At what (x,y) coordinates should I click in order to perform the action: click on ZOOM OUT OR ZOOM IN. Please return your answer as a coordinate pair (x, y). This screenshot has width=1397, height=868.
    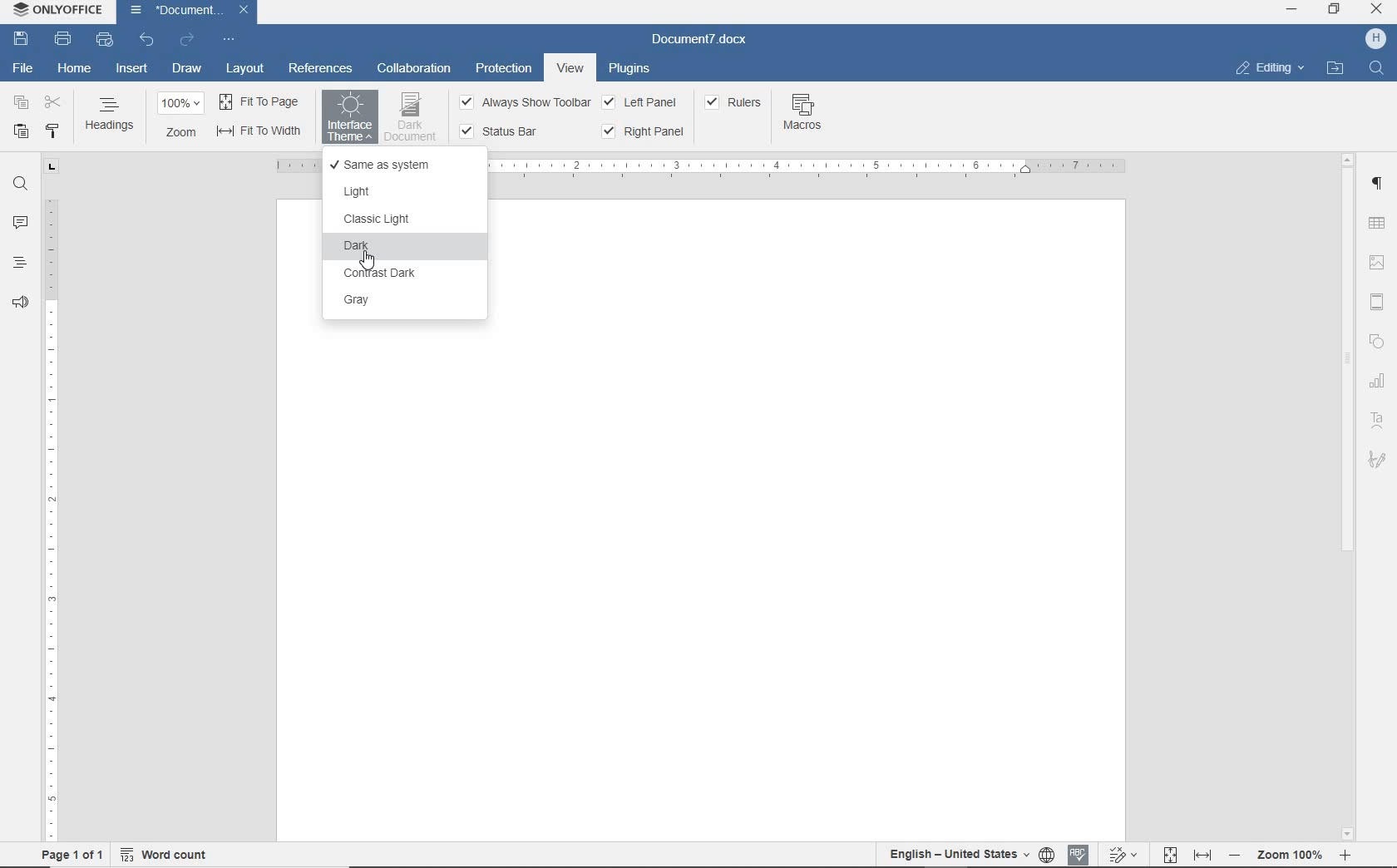
    Looking at the image, I should click on (1294, 856).